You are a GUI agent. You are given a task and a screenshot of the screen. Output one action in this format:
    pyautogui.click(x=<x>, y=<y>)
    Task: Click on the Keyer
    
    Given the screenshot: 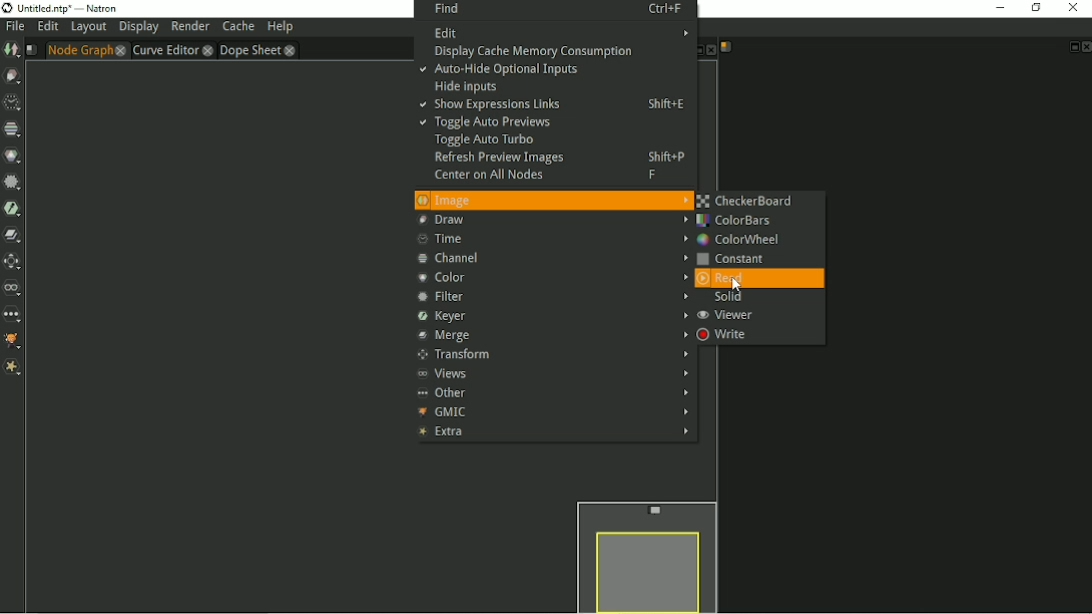 What is the action you would take?
    pyautogui.click(x=13, y=208)
    